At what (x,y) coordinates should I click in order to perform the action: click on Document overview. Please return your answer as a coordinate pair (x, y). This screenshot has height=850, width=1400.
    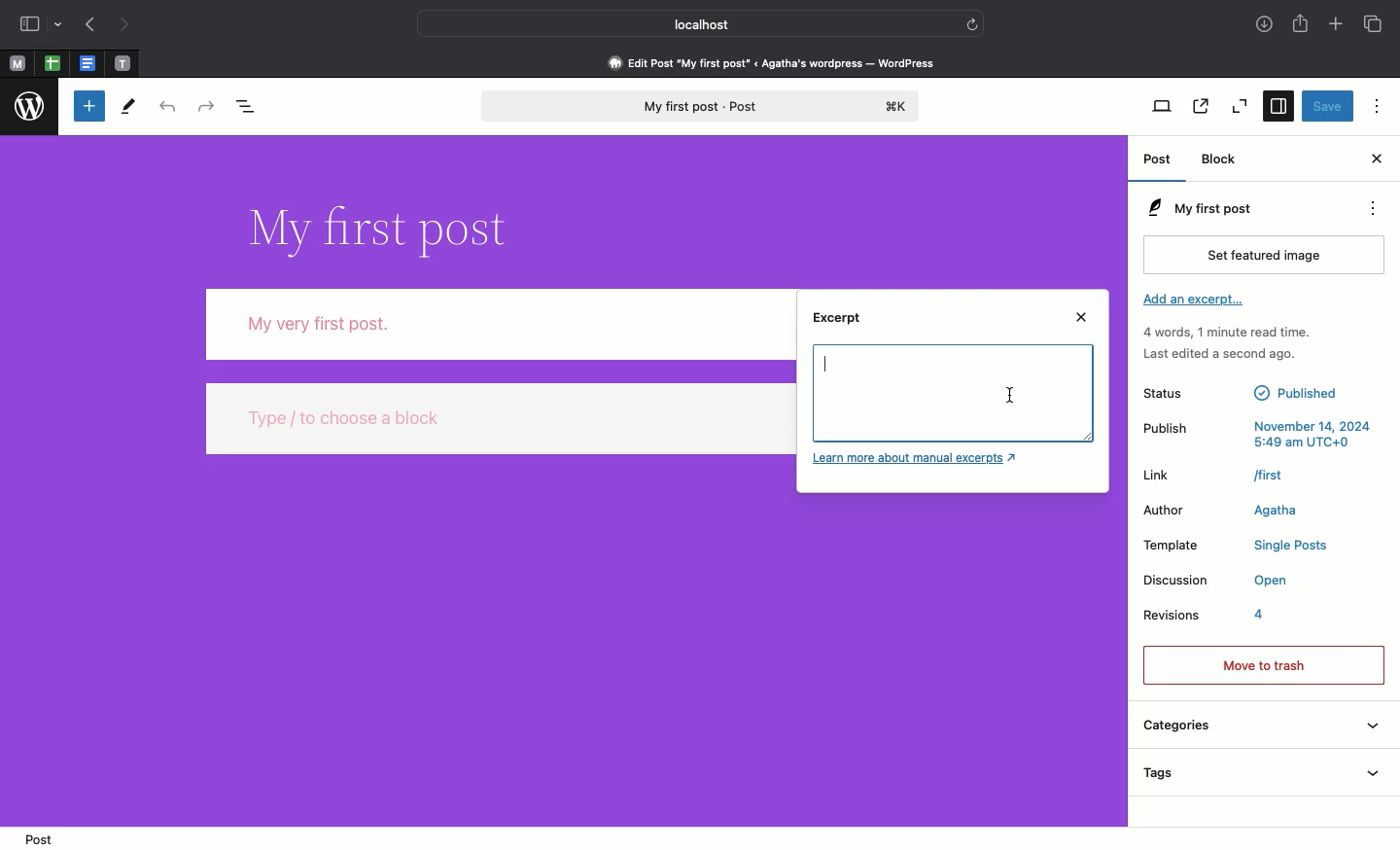
    Looking at the image, I should click on (253, 108).